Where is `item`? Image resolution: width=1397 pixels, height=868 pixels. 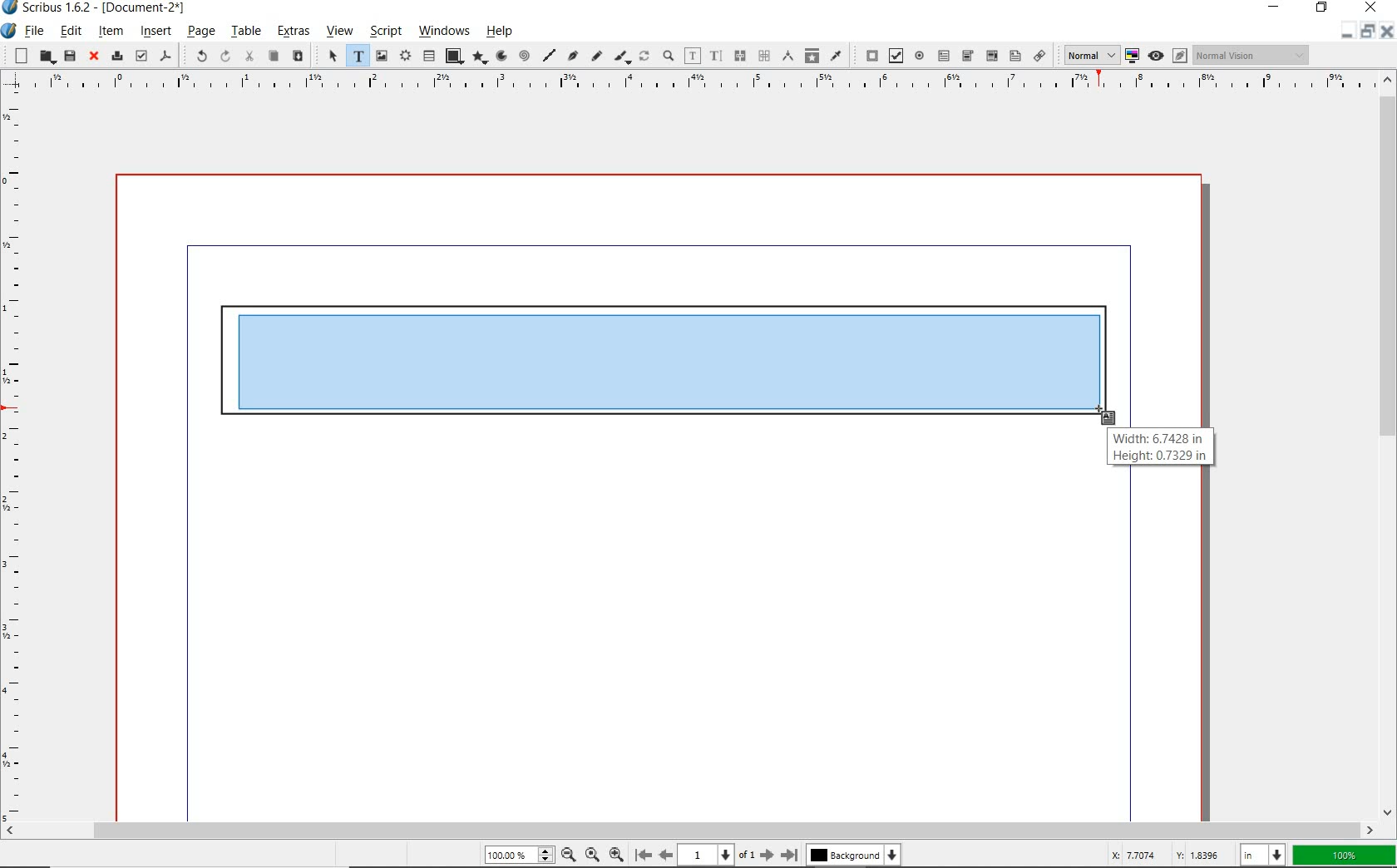 item is located at coordinates (111, 32).